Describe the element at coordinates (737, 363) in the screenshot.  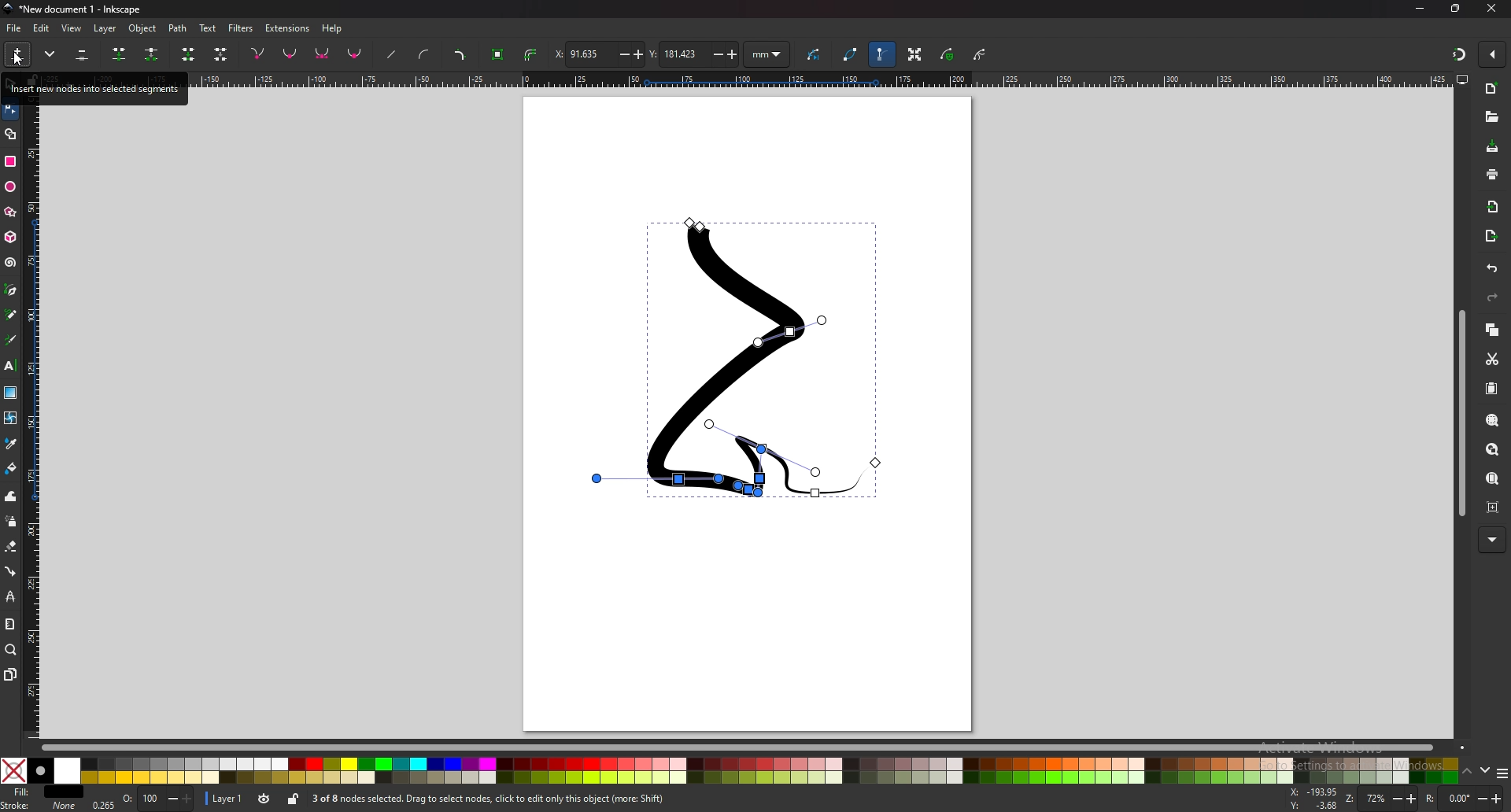
I see `drawing` at that location.